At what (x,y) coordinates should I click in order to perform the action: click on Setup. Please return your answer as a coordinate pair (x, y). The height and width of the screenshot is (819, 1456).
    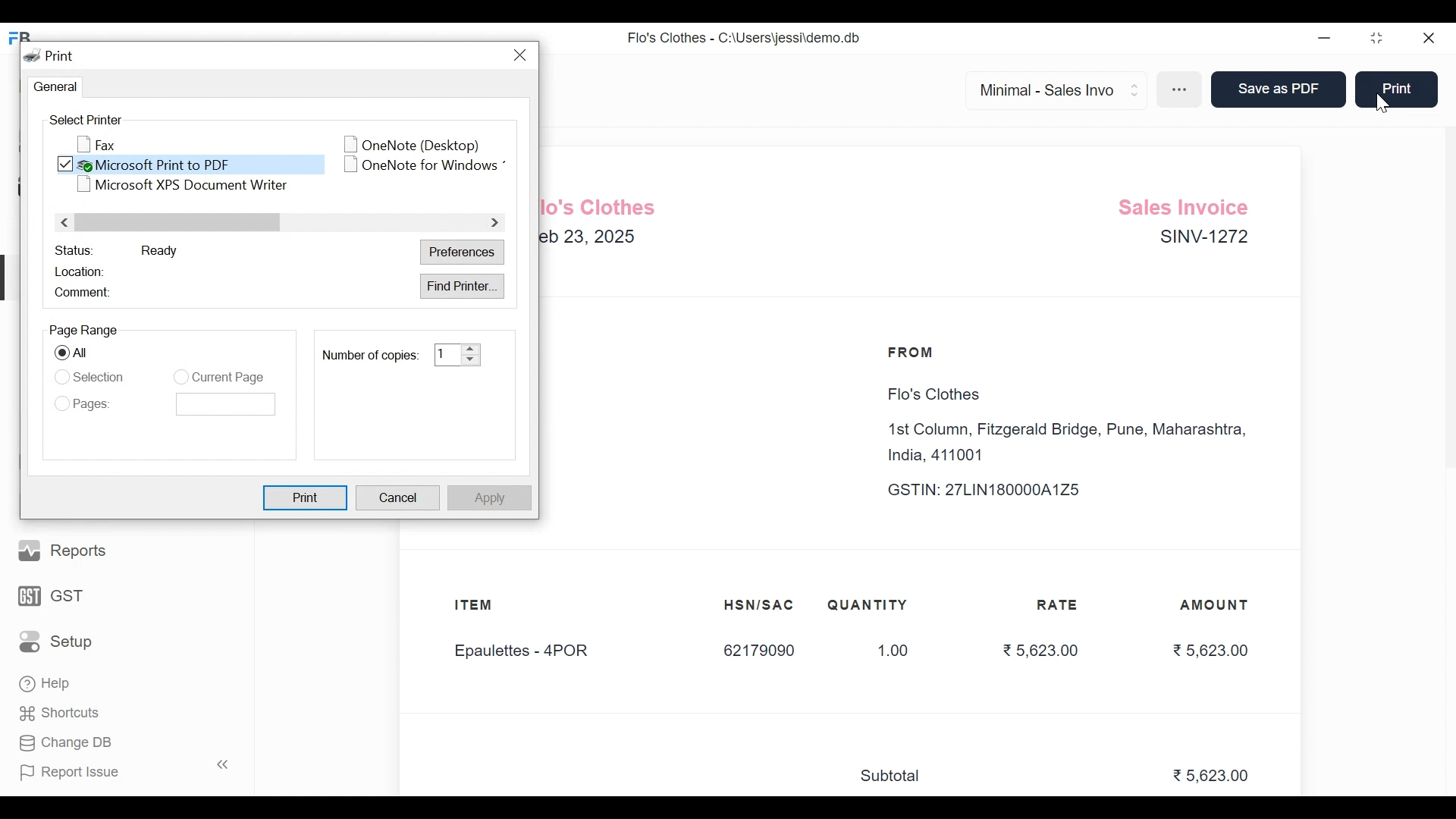
    Looking at the image, I should click on (56, 640).